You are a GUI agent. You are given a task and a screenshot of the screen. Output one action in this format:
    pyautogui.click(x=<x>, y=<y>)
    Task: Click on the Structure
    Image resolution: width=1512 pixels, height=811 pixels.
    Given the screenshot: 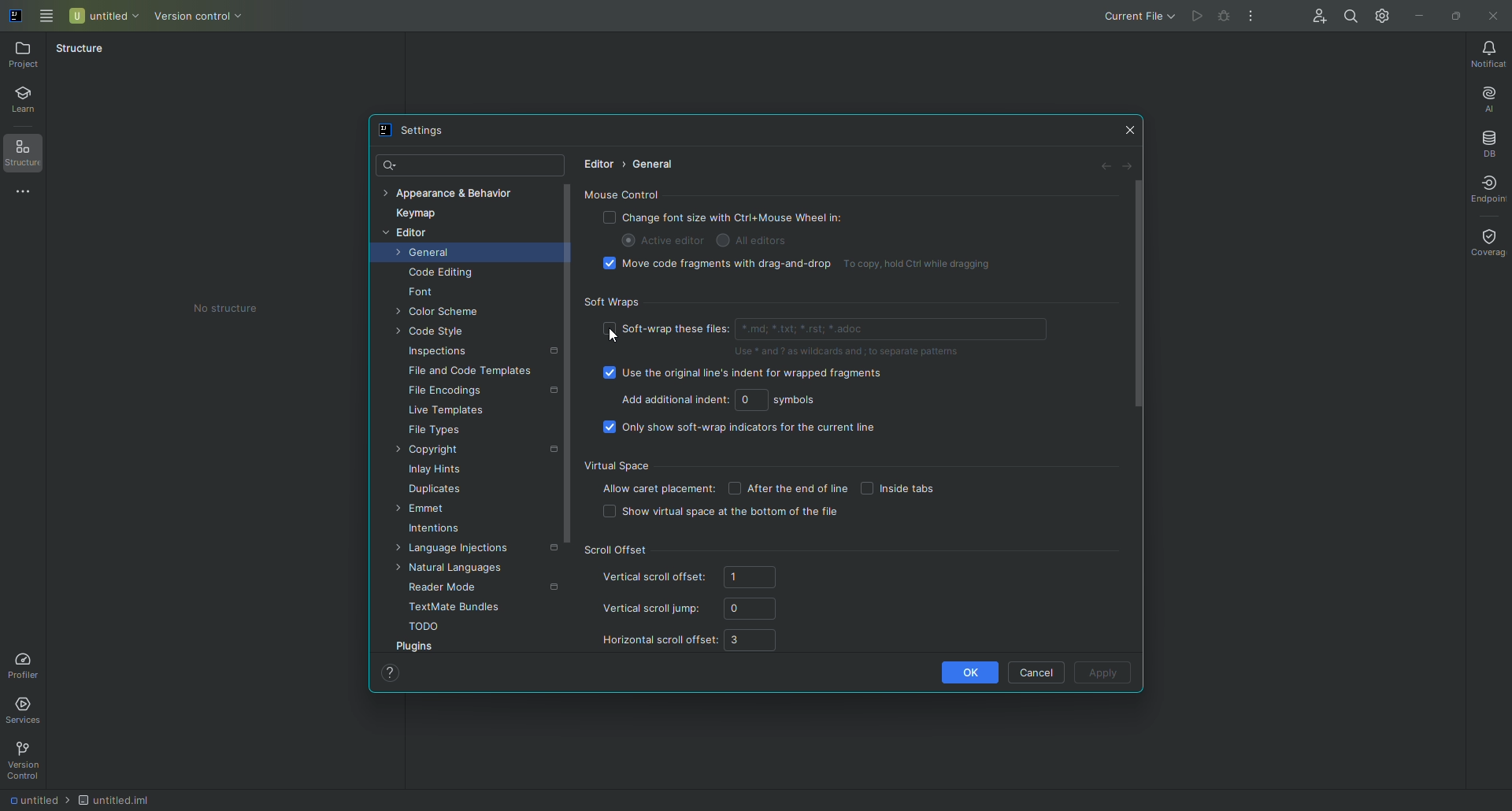 What is the action you would take?
    pyautogui.click(x=24, y=157)
    